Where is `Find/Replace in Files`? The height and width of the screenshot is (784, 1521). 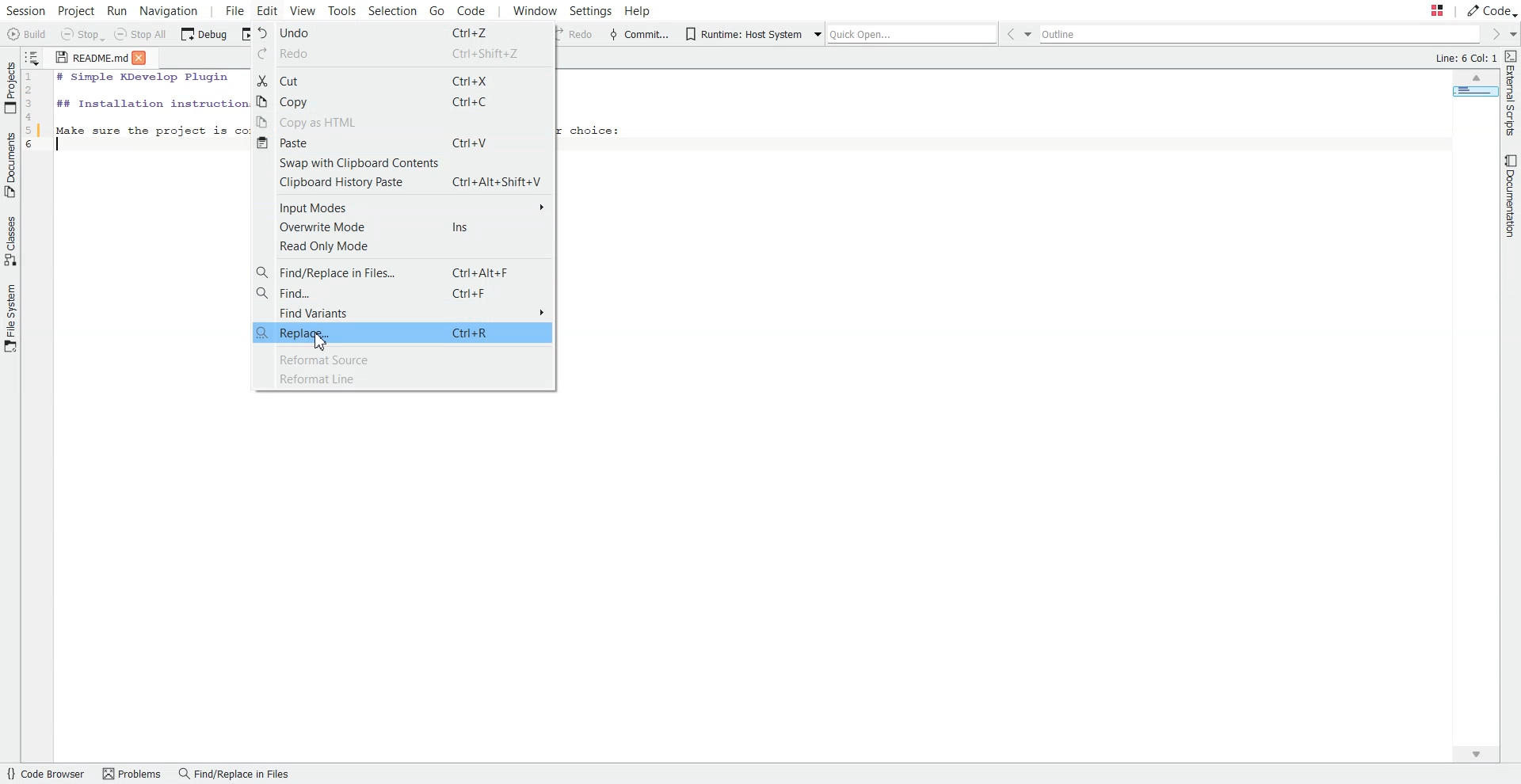
Find/Replace in Files is located at coordinates (233, 774).